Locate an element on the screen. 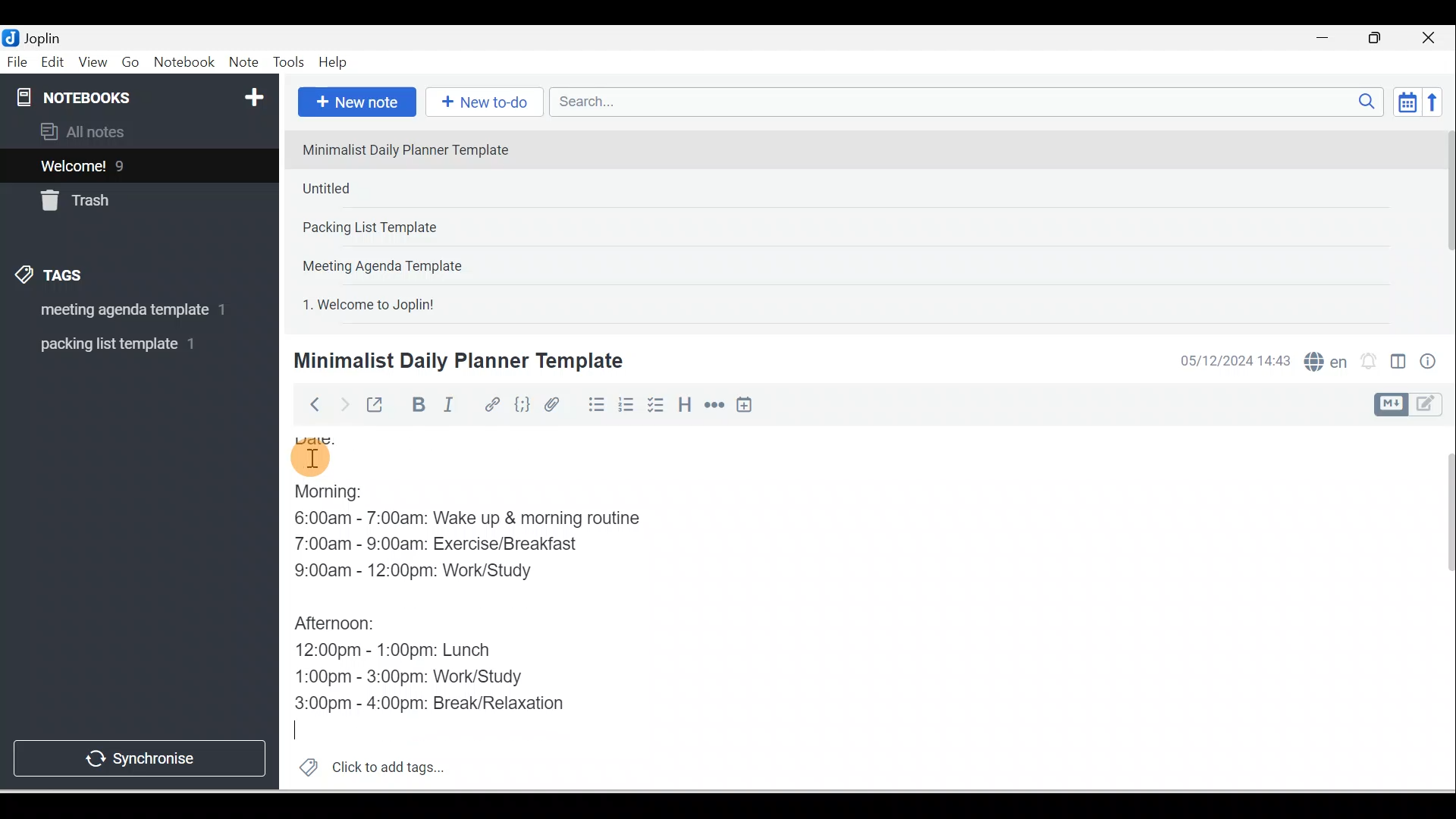 This screenshot has height=819, width=1456. 7:00am - 9:00am: Exercise/Breakfast is located at coordinates (453, 544).